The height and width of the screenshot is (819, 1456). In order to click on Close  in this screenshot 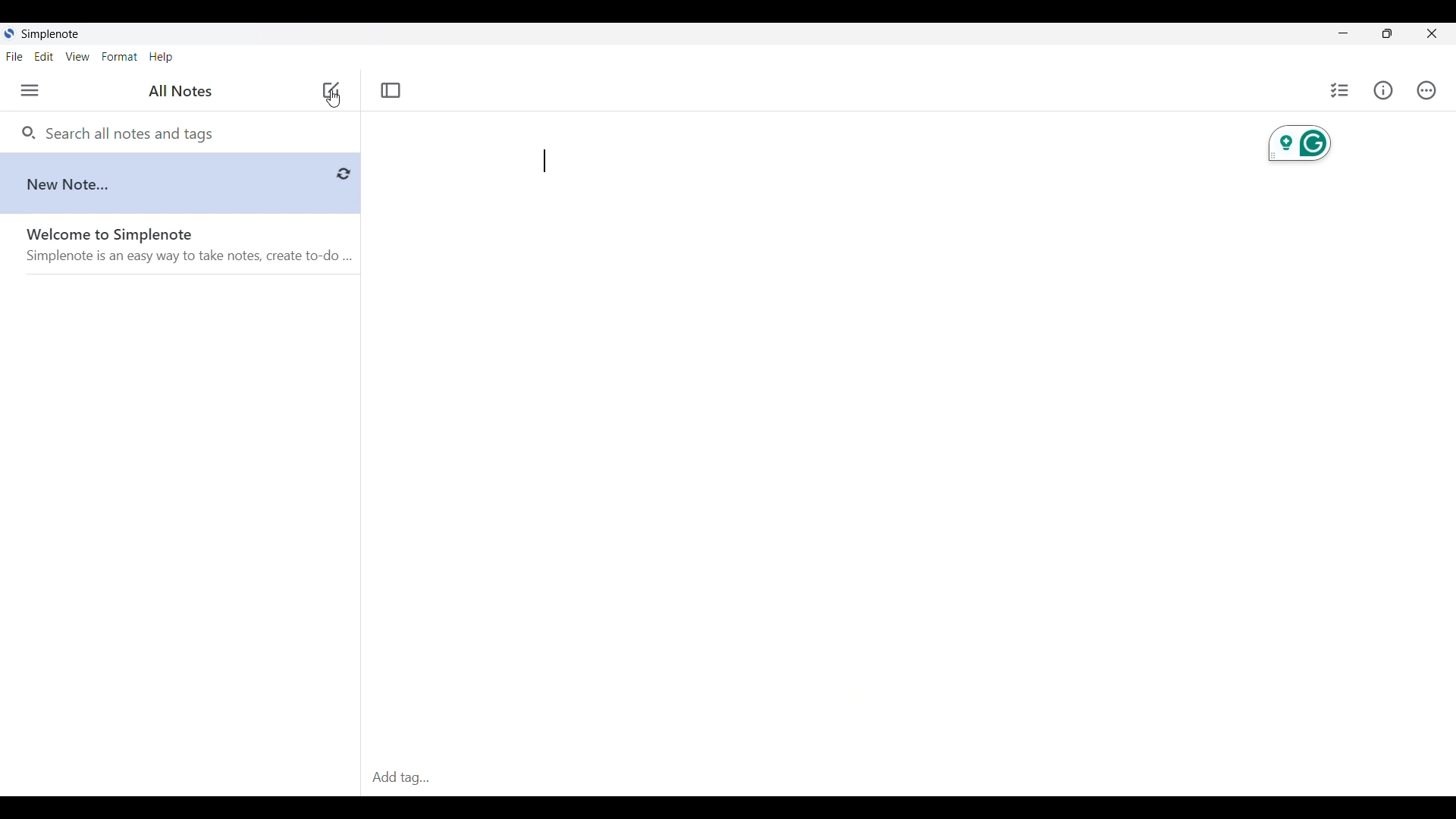, I will do `click(1431, 33)`.